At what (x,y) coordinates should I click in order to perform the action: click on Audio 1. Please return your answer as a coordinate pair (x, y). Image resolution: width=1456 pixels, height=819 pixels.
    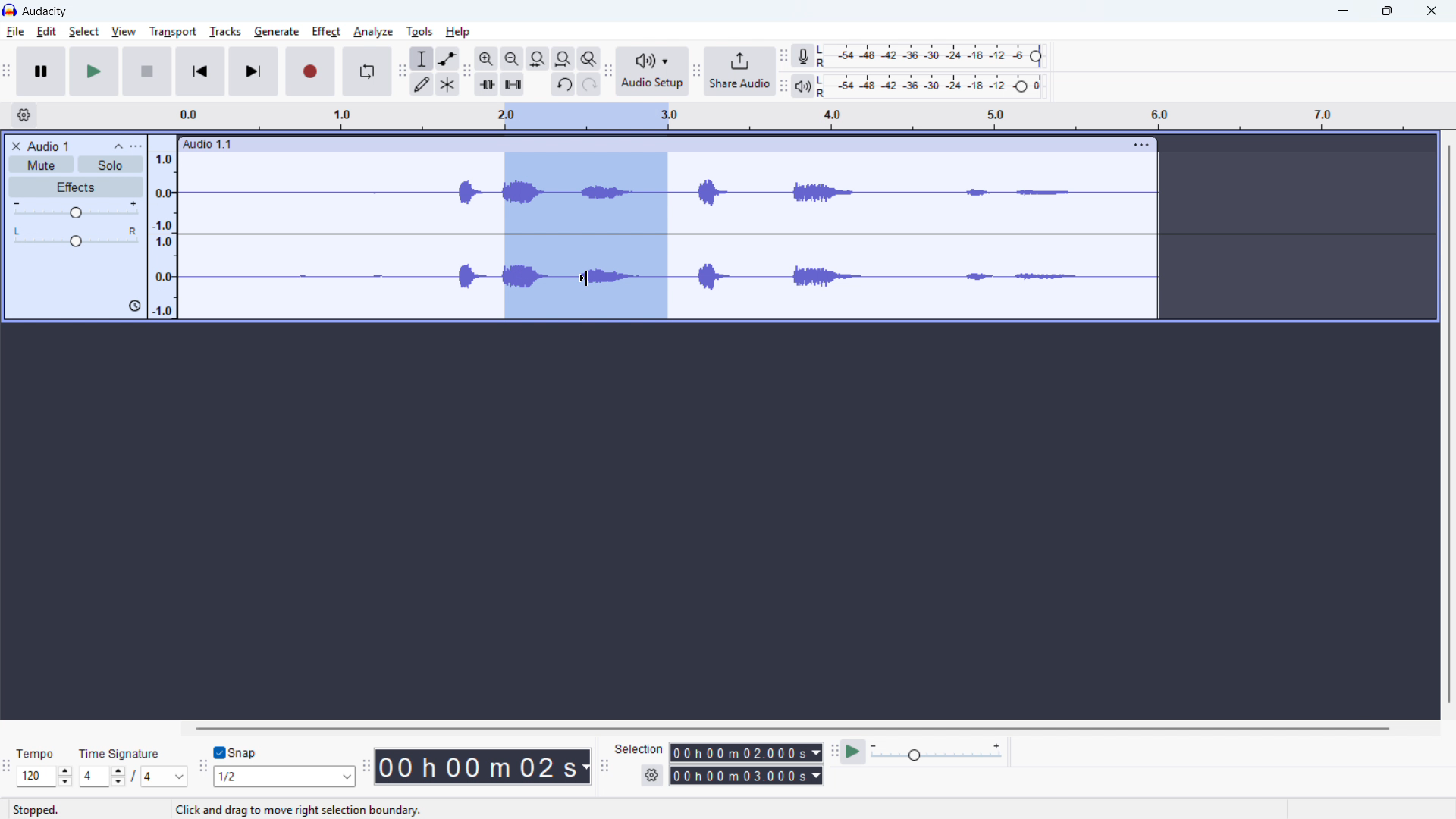
    Looking at the image, I should click on (49, 146).